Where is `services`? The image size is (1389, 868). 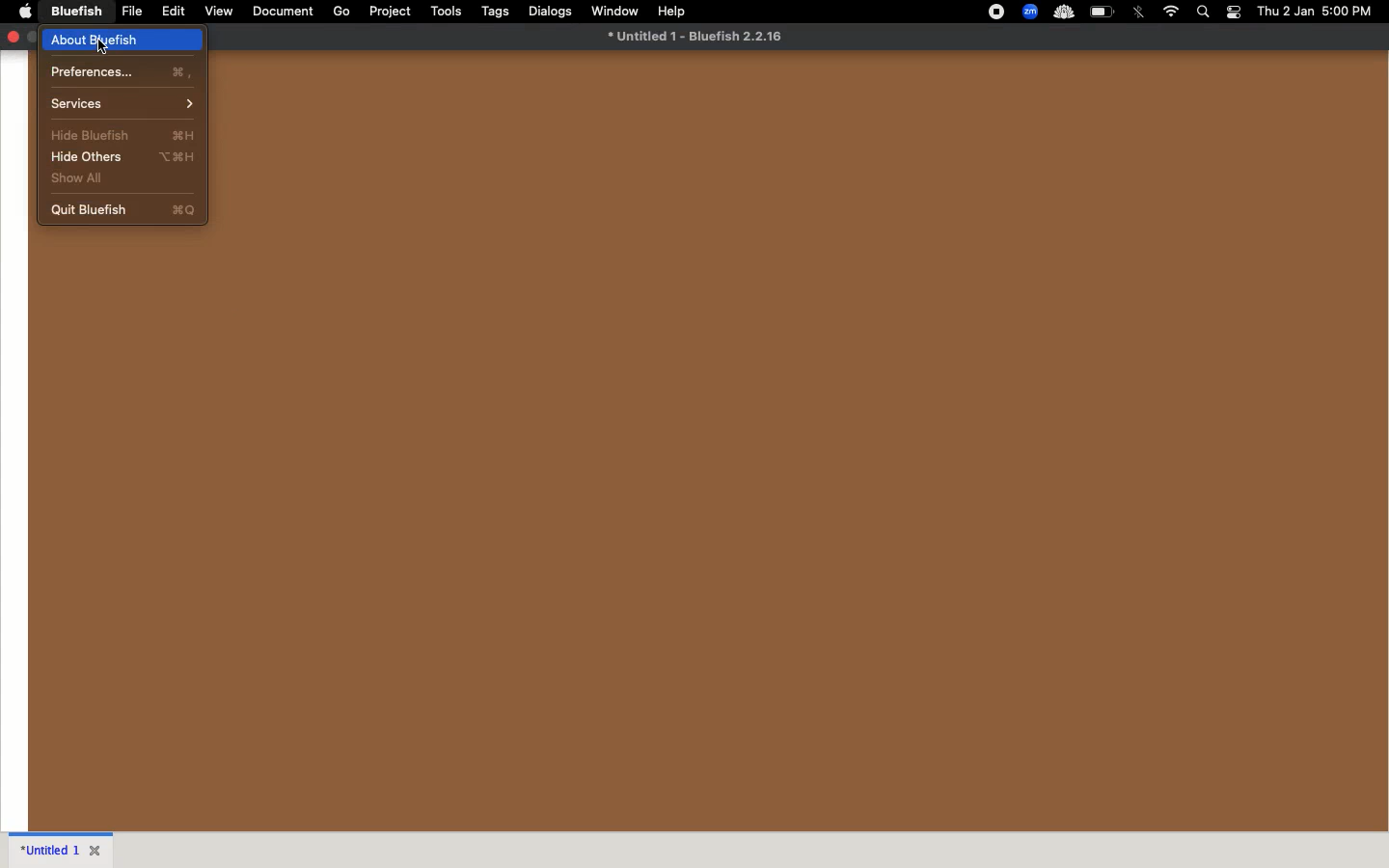 services is located at coordinates (123, 105).